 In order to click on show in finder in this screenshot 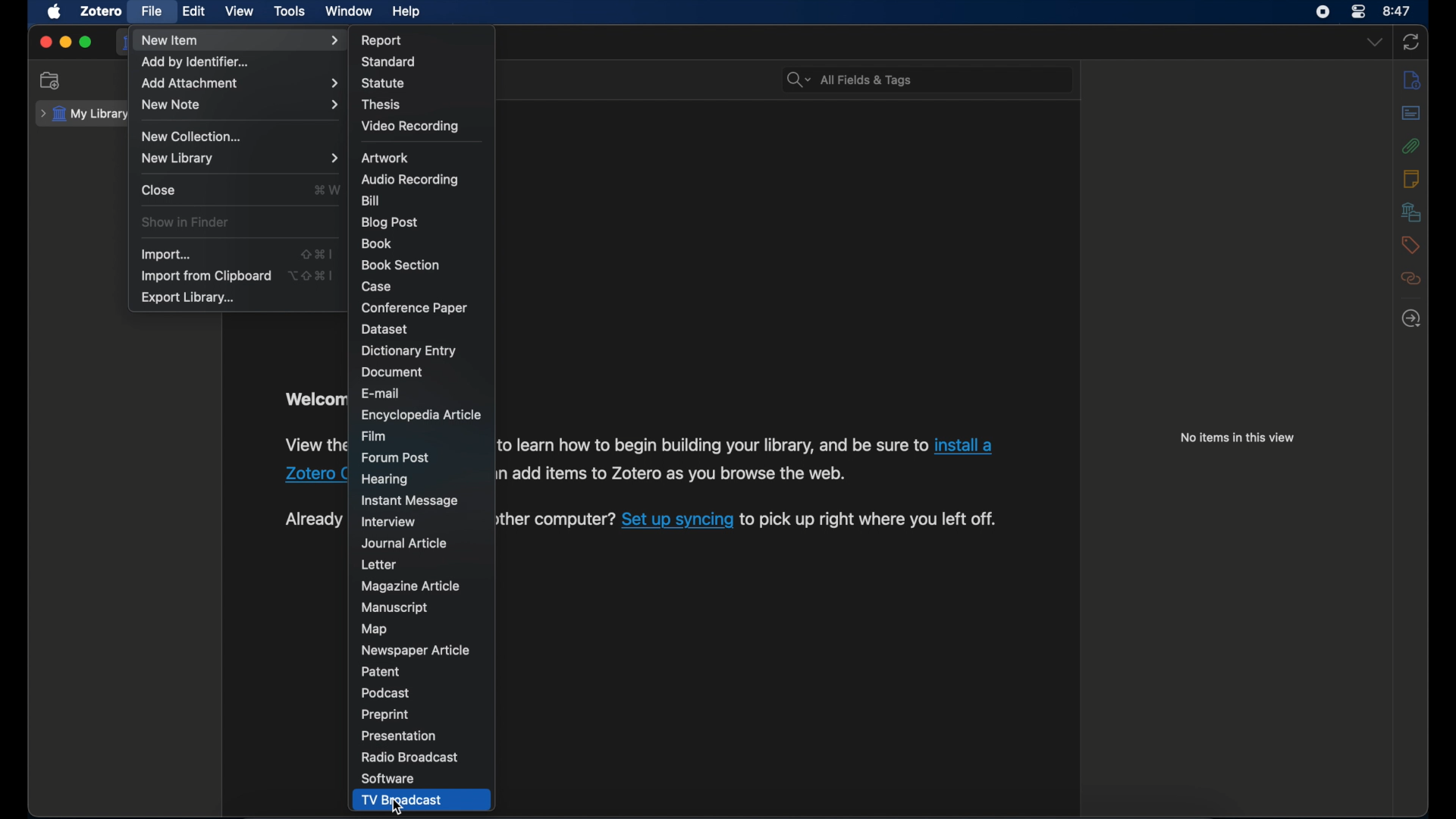, I will do `click(184, 222)`.